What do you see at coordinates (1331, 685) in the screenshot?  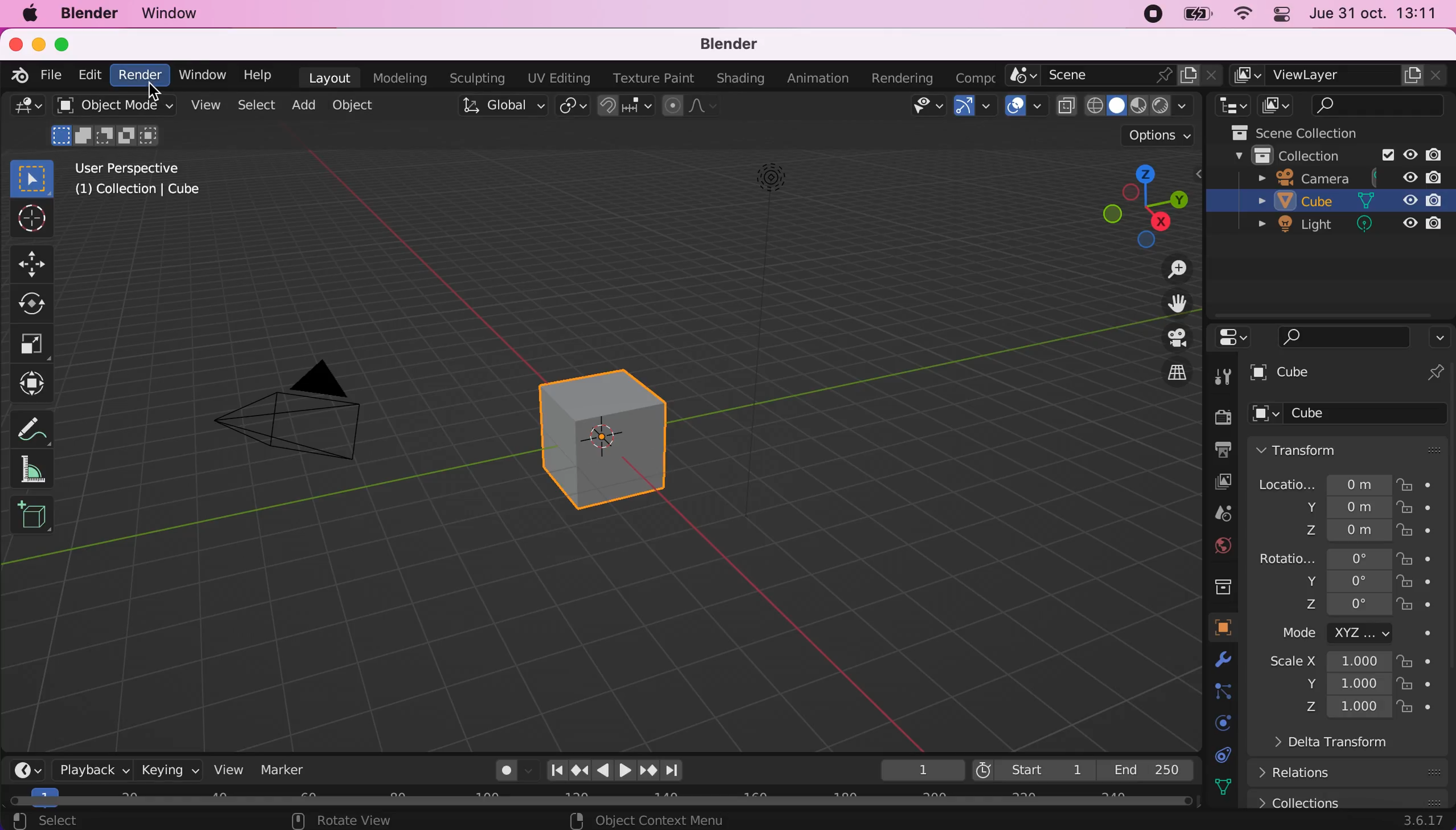 I see `scale measures` at bounding box center [1331, 685].